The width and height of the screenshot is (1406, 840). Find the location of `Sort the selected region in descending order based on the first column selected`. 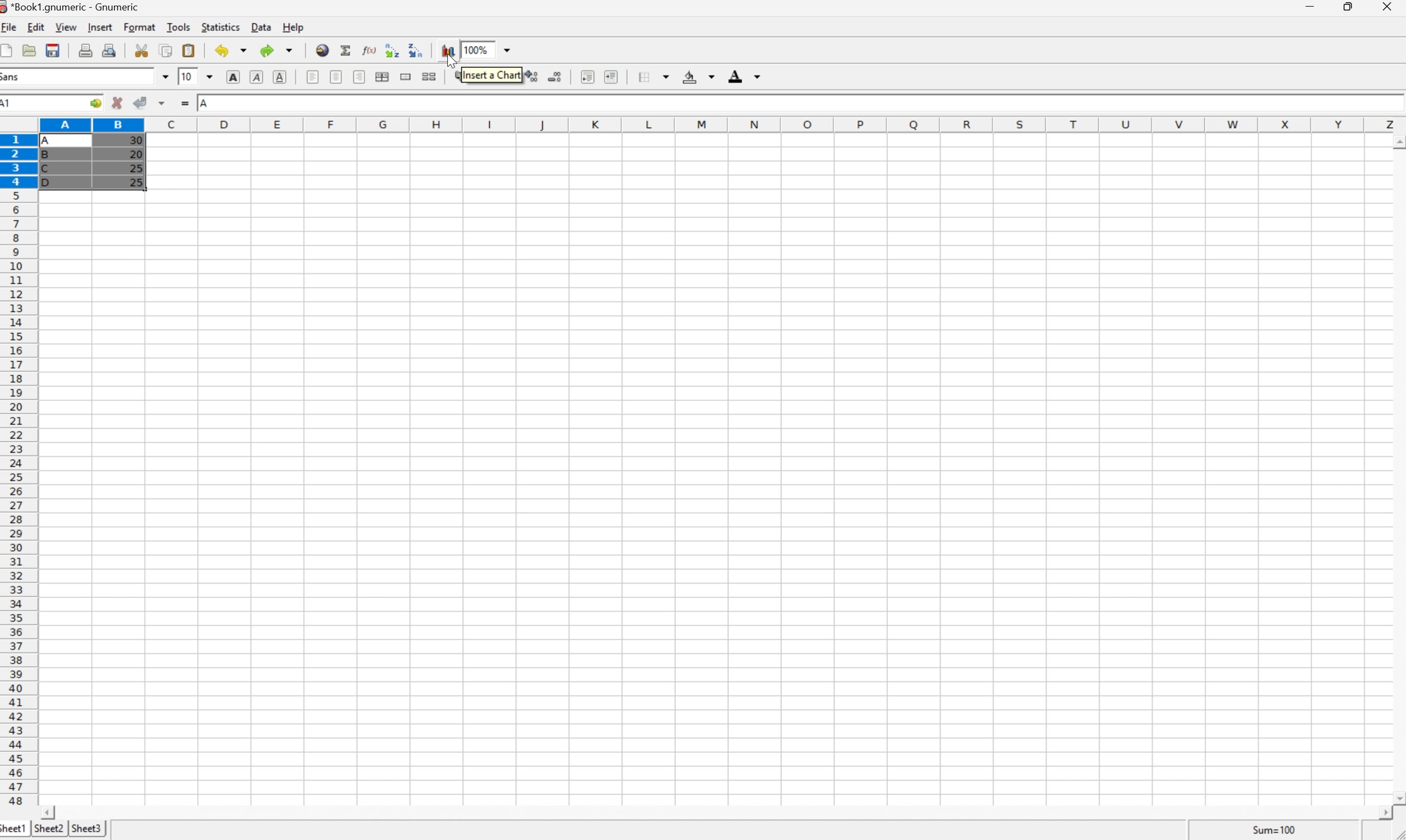

Sort the selected region in descending order based on the first column selected is located at coordinates (415, 49).